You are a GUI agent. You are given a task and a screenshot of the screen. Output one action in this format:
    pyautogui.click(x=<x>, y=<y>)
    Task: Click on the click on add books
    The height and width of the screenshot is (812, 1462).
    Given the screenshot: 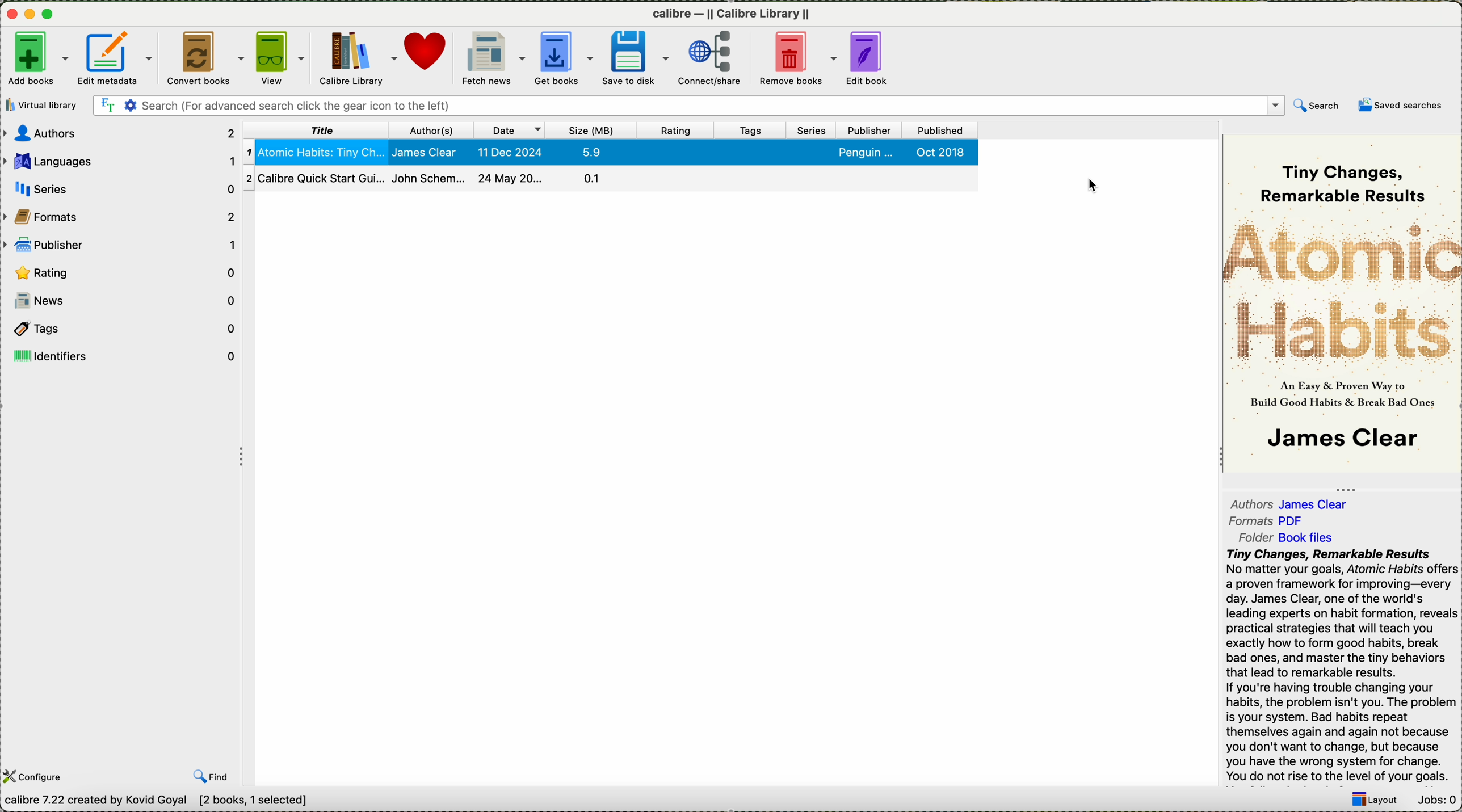 What is the action you would take?
    pyautogui.click(x=36, y=60)
    